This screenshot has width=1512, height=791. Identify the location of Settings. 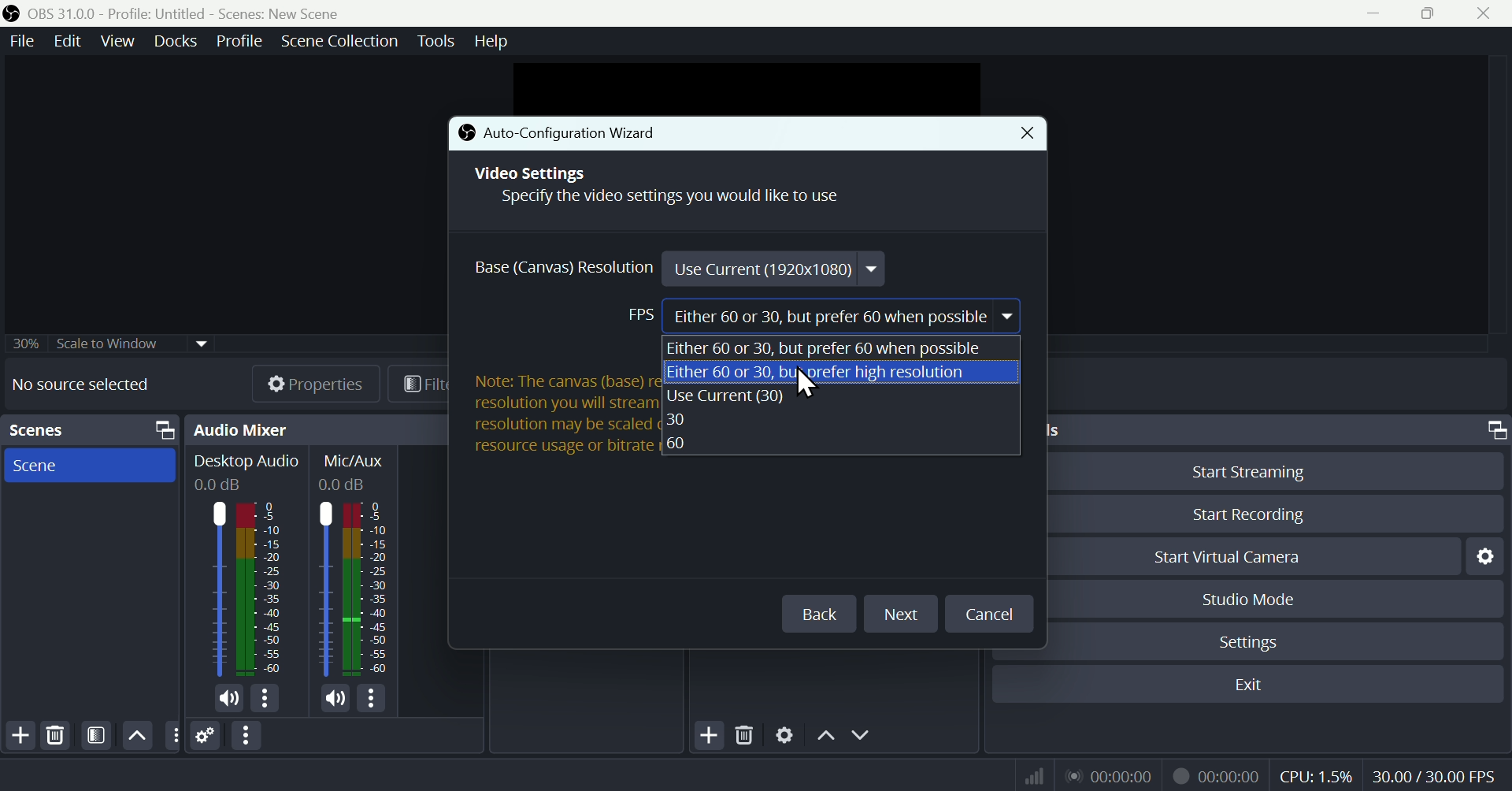
(785, 733).